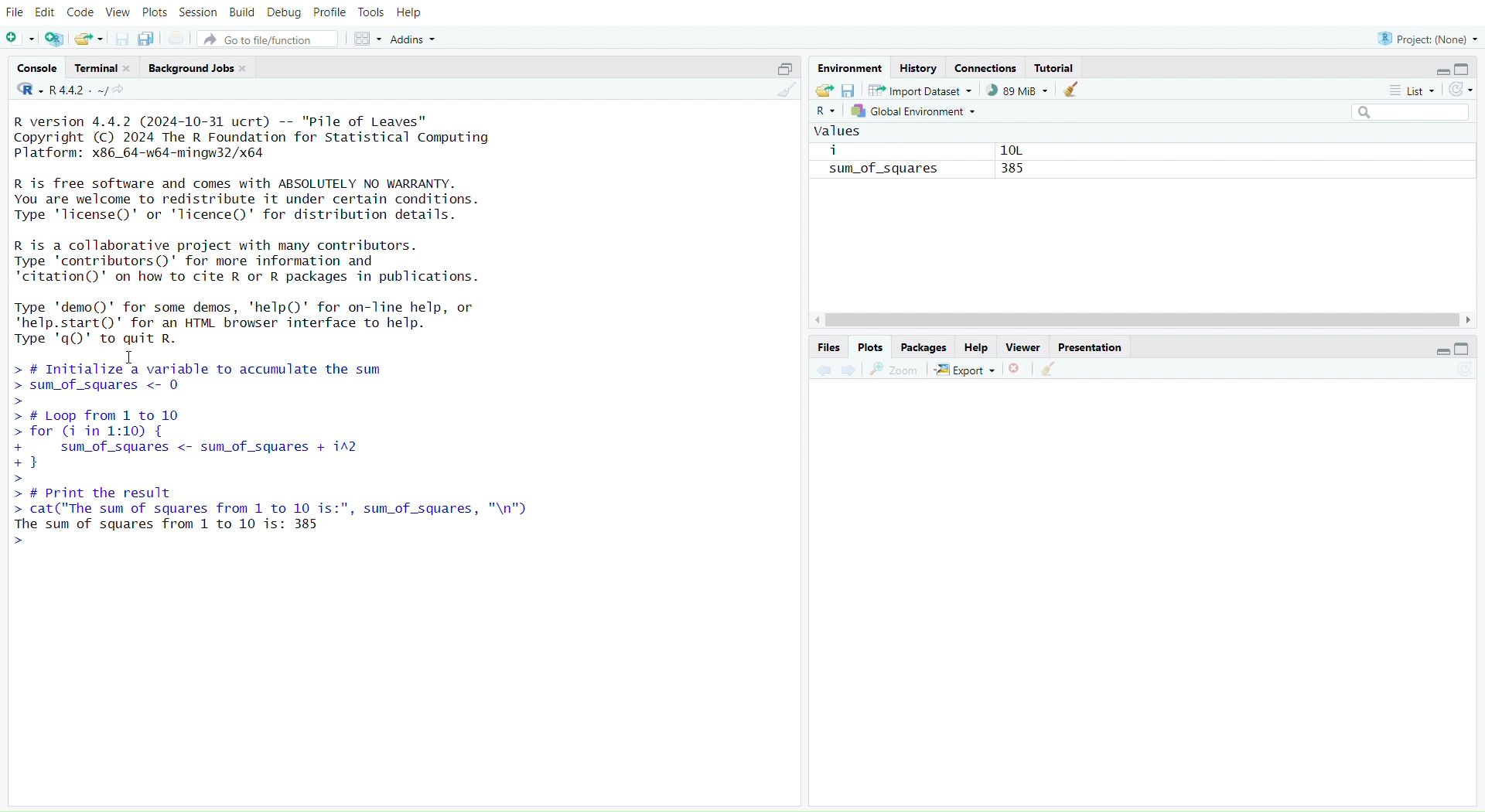 This screenshot has width=1485, height=812. Describe the element at coordinates (824, 91) in the screenshot. I see `load workspace` at that location.